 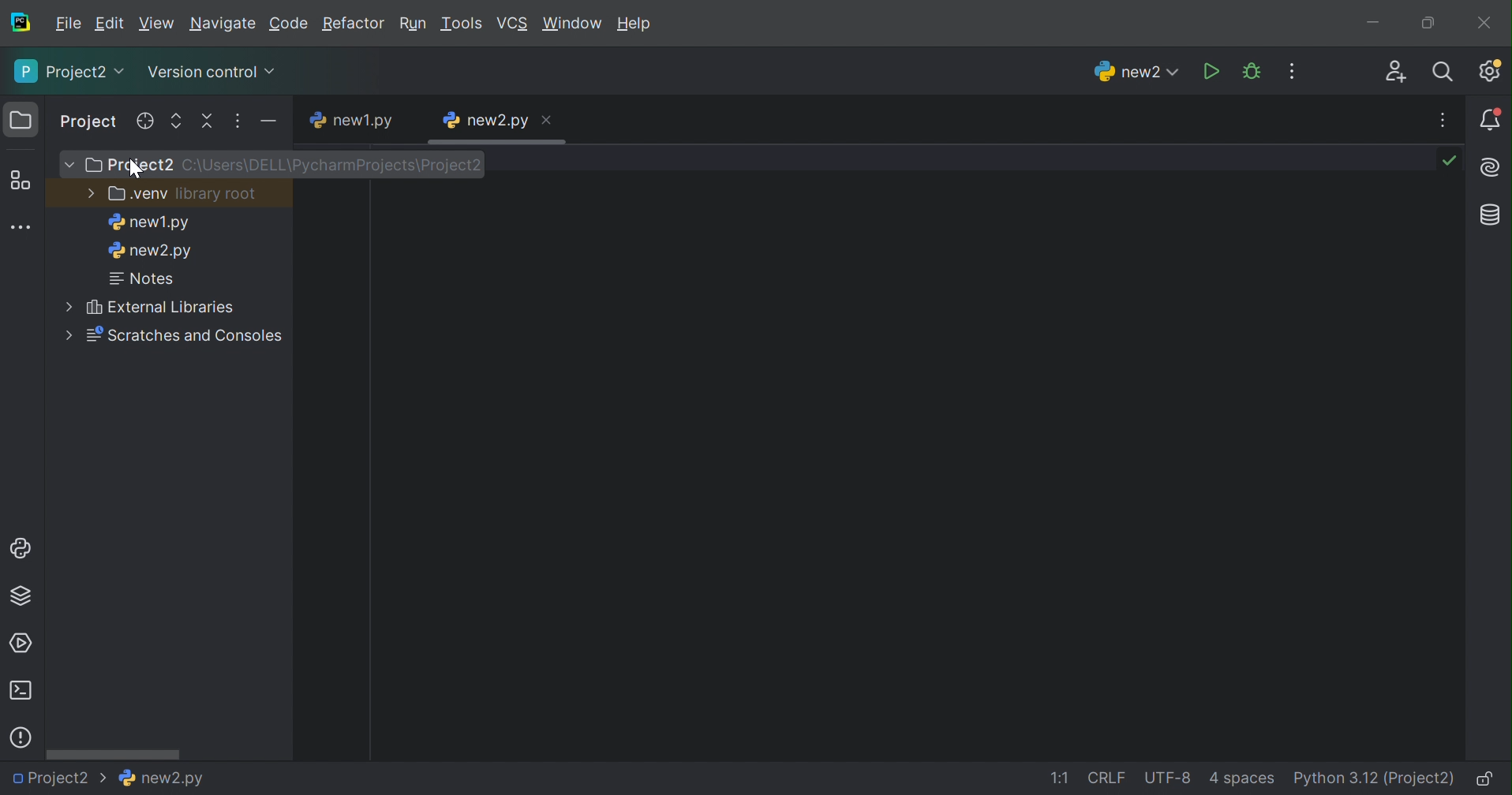 What do you see at coordinates (110, 24) in the screenshot?
I see `Edit` at bounding box center [110, 24].